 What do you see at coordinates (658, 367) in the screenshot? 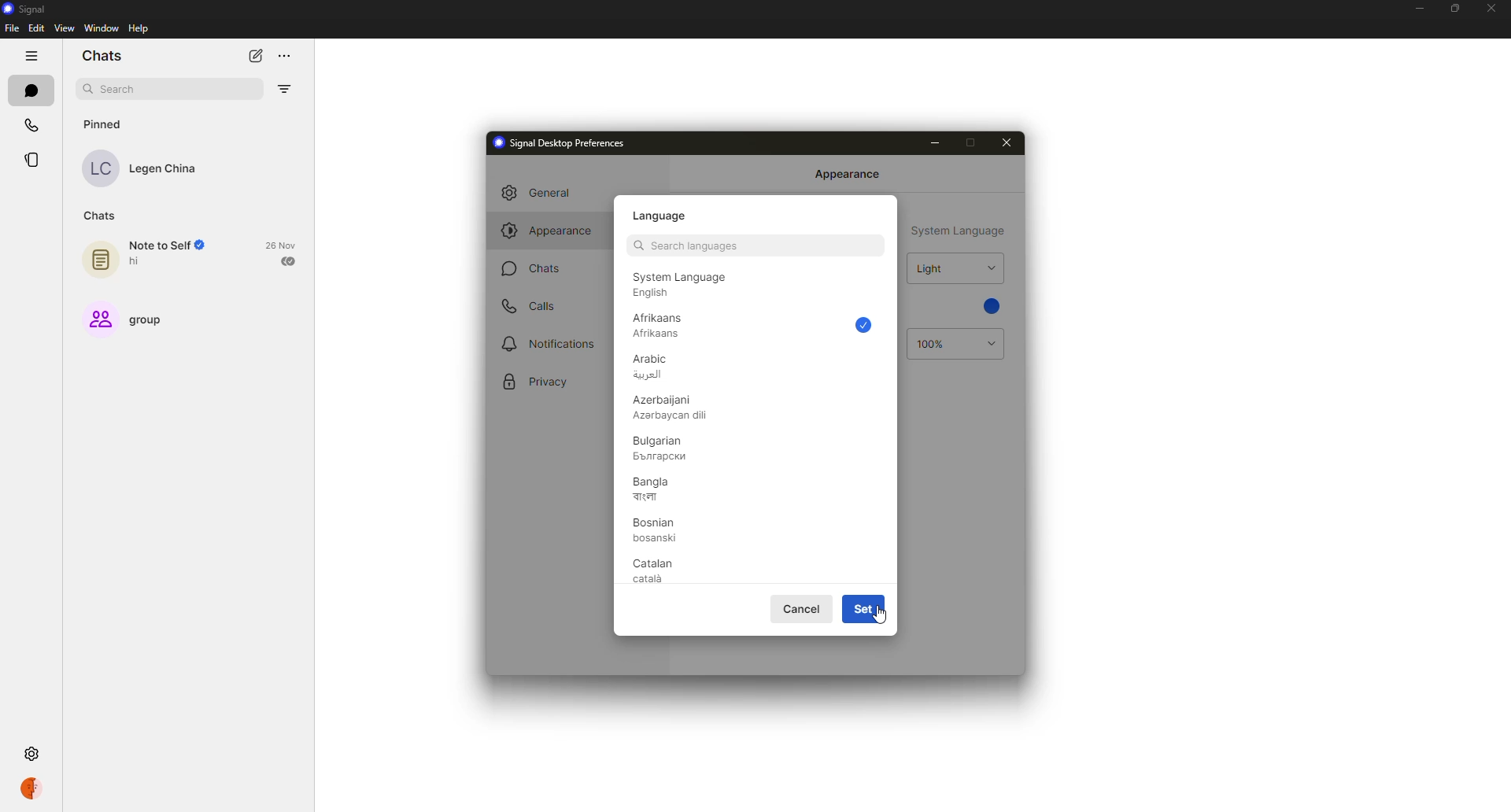
I see `arabic` at bounding box center [658, 367].